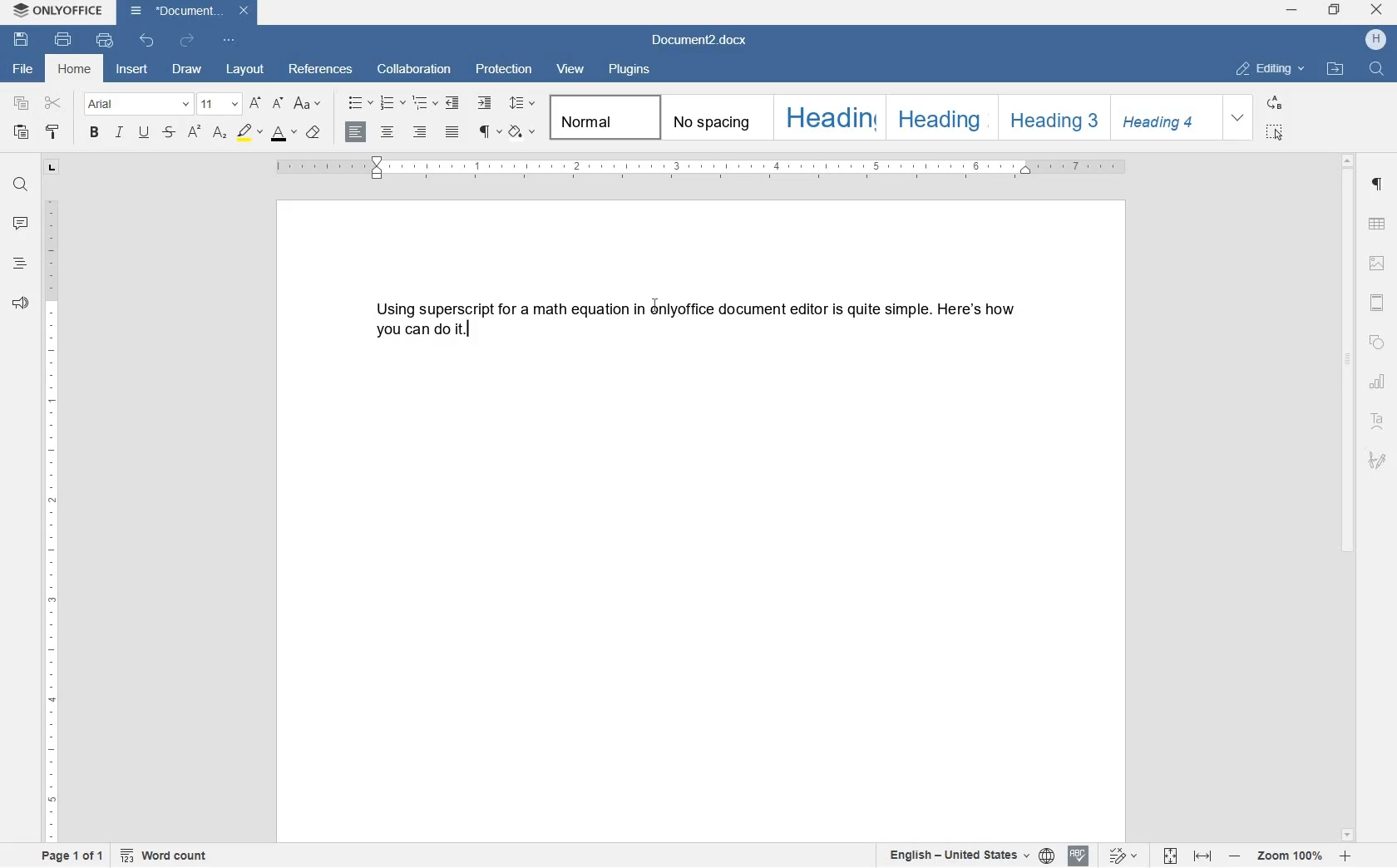 Image resolution: width=1397 pixels, height=868 pixels. I want to click on references, so click(321, 71).